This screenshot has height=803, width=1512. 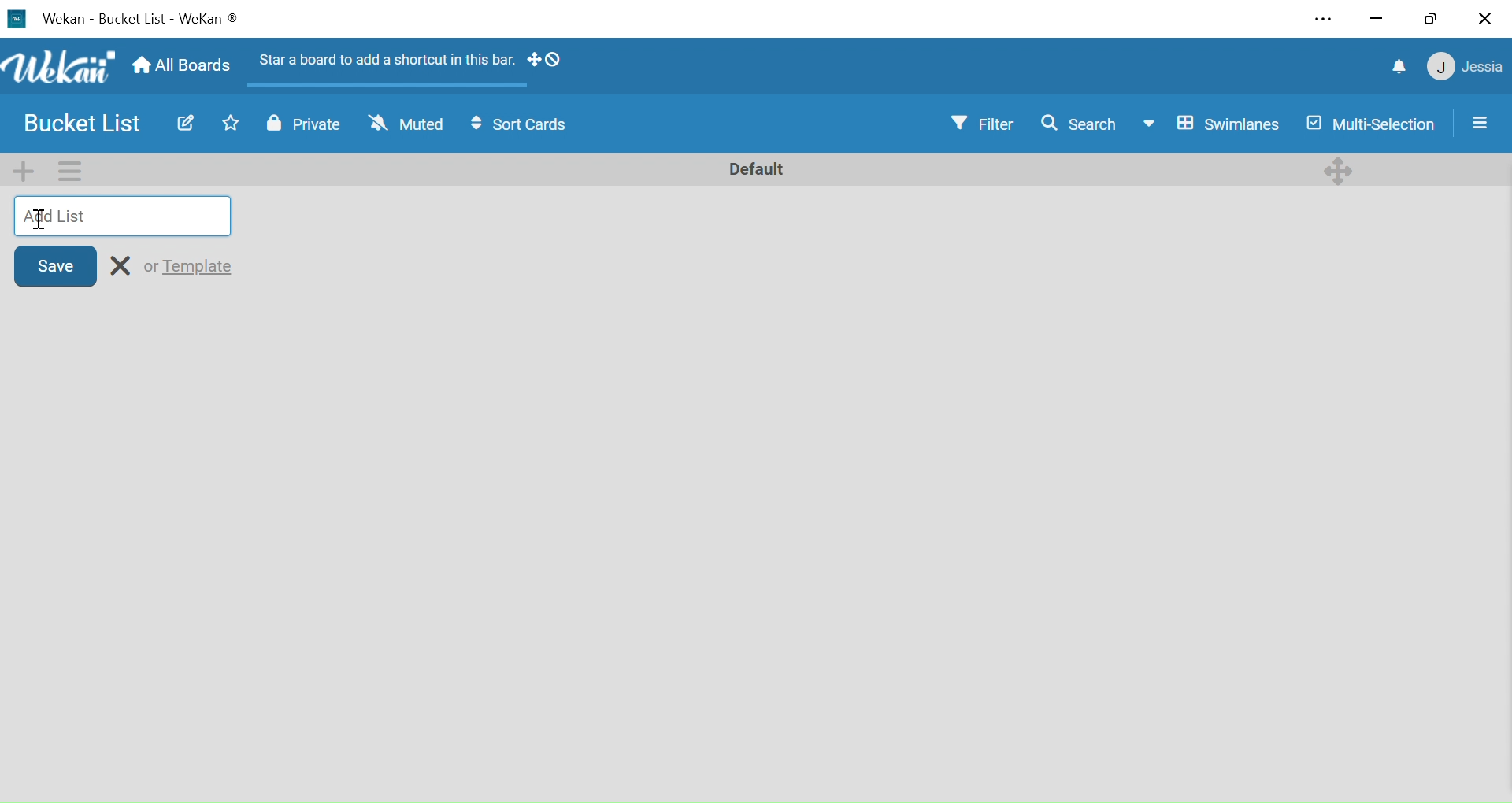 I want to click on Save, so click(x=55, y=265).